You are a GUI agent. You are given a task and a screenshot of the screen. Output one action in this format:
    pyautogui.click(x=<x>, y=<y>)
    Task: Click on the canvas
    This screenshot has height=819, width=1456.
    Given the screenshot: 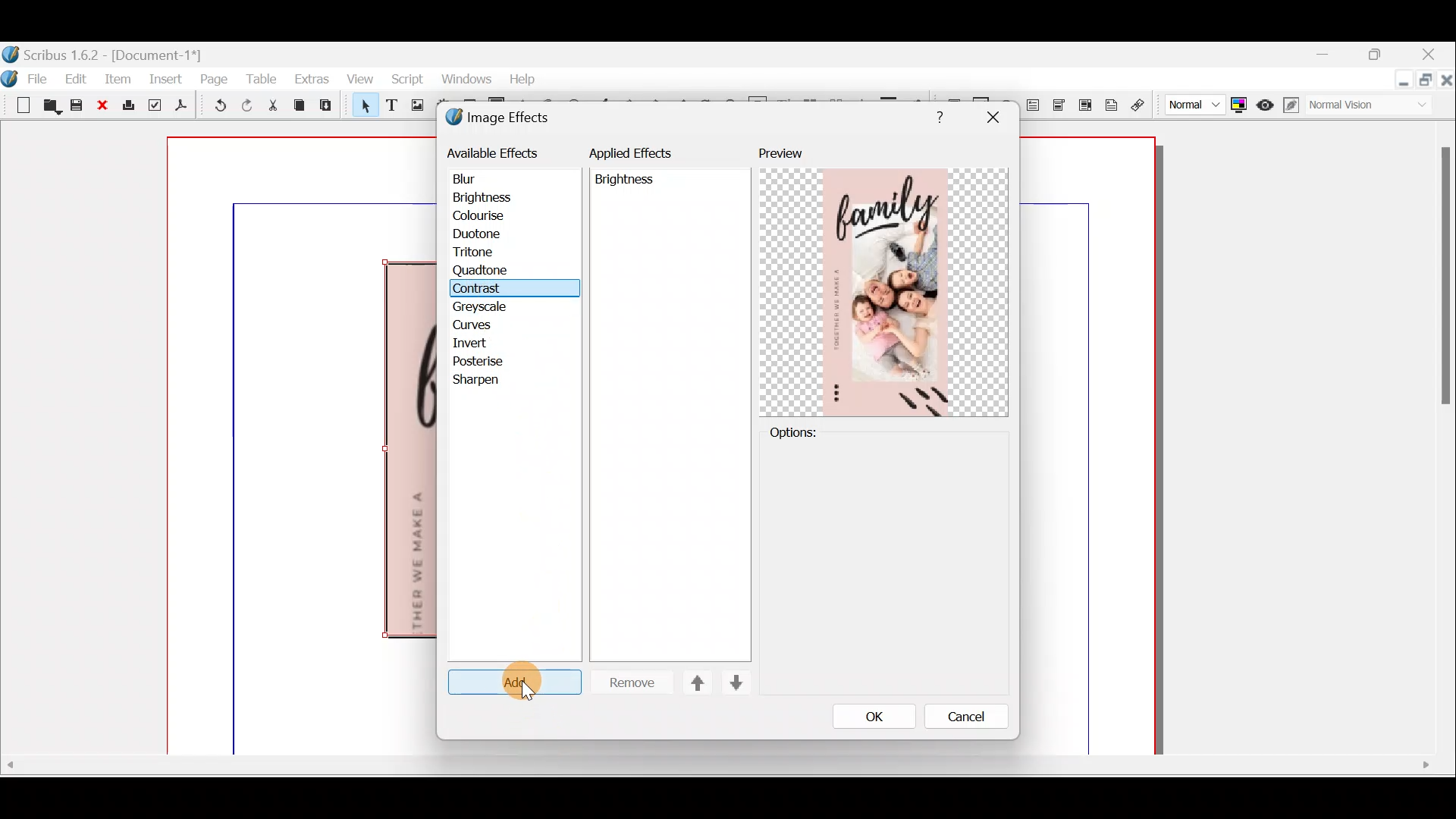 What is the action you would take?
    pyautogui.click(x=1089, y=447)
    